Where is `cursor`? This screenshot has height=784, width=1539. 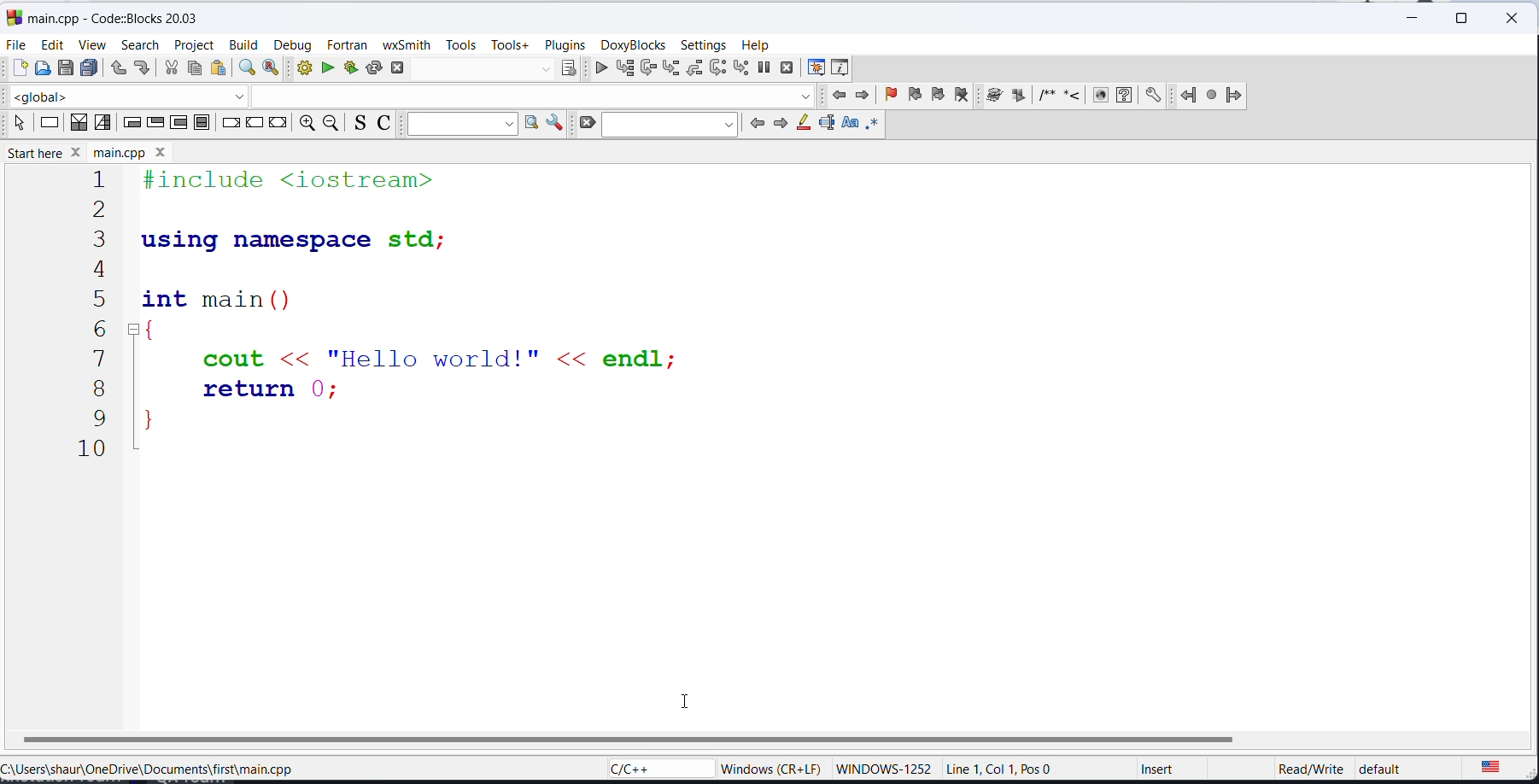
cursor is located at coordinates (694, 705).